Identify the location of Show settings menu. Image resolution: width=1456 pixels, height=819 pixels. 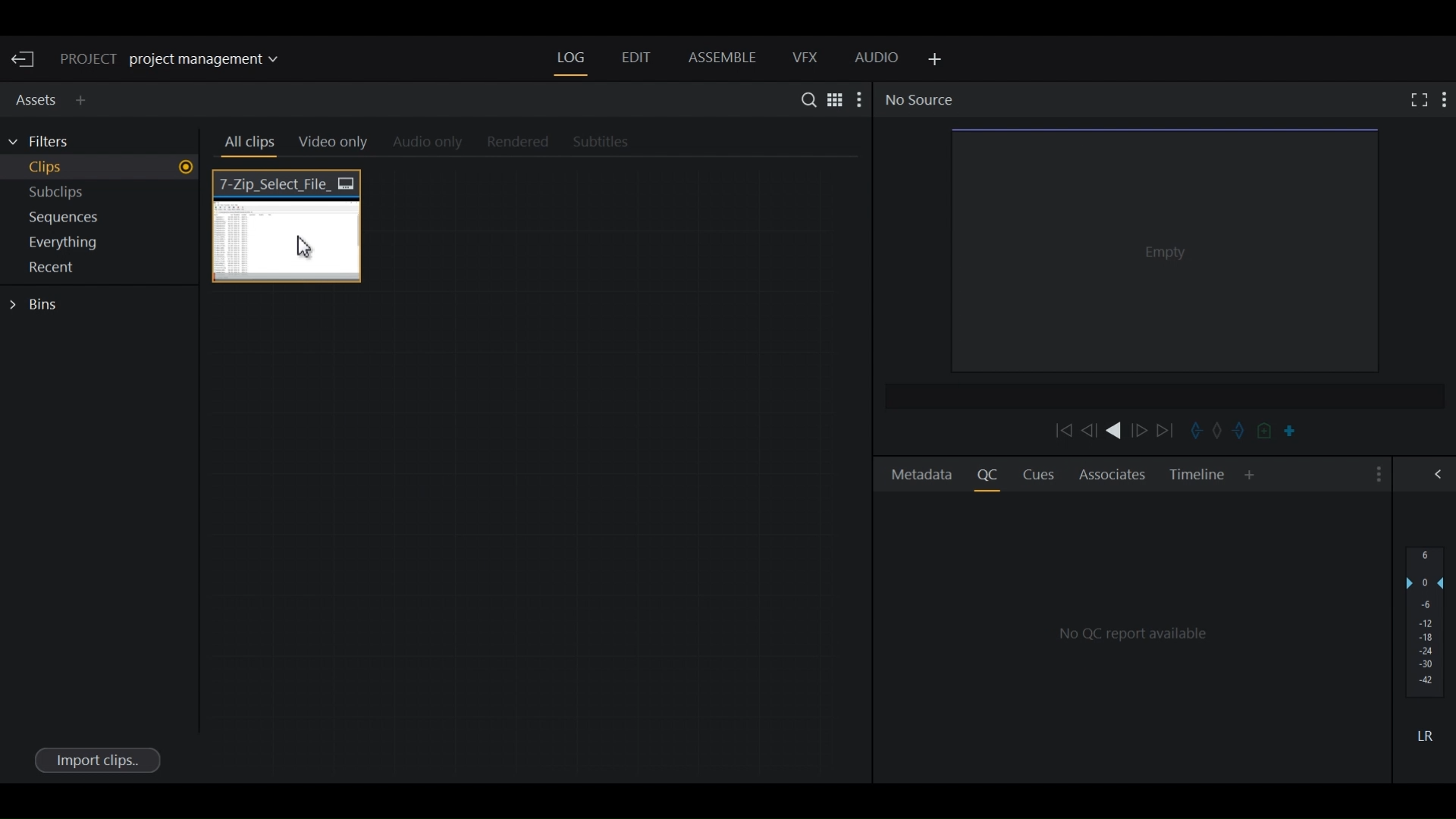
(1445, 99).